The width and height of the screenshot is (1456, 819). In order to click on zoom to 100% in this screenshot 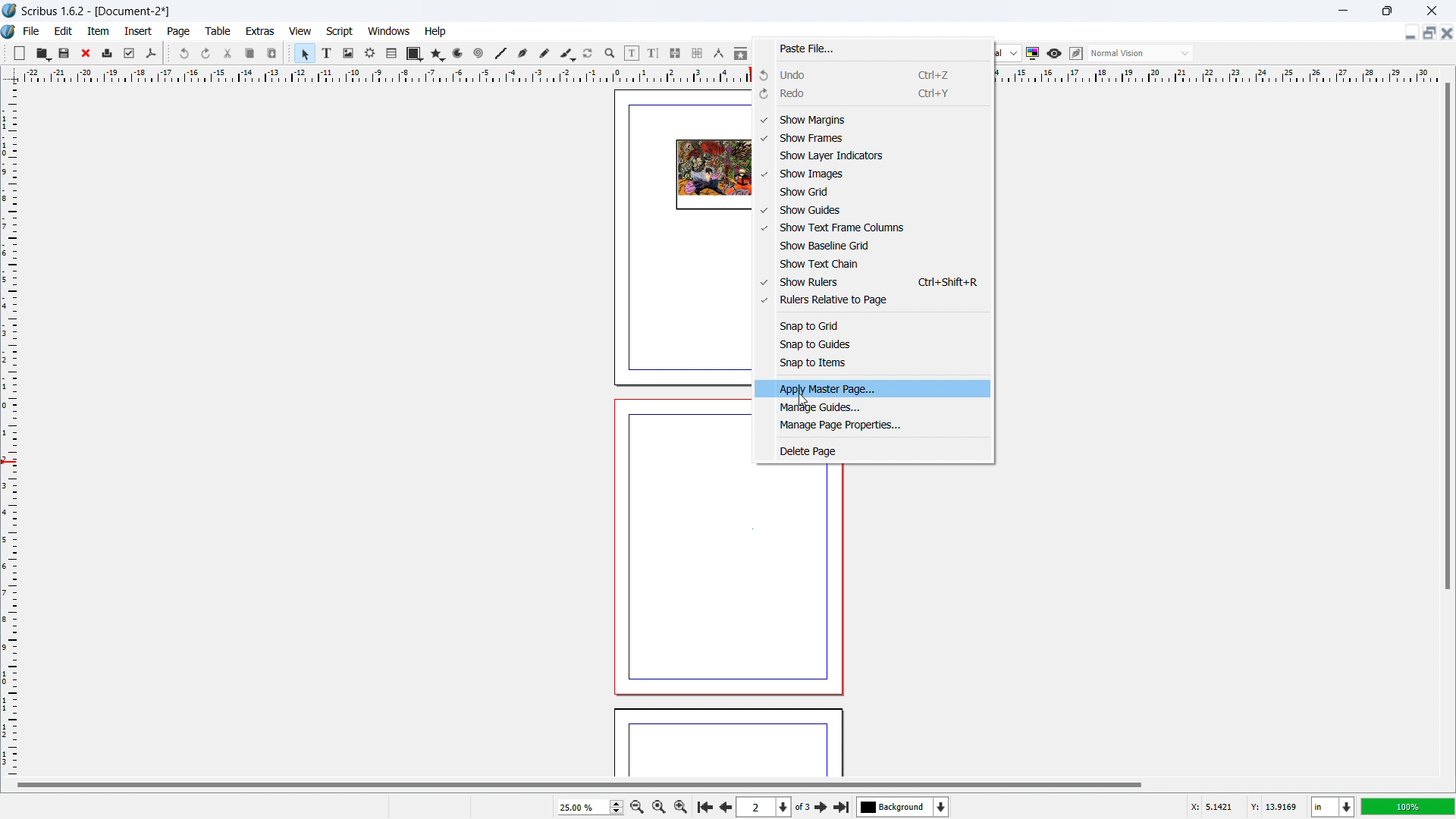, I will do `click(658, 805)`.